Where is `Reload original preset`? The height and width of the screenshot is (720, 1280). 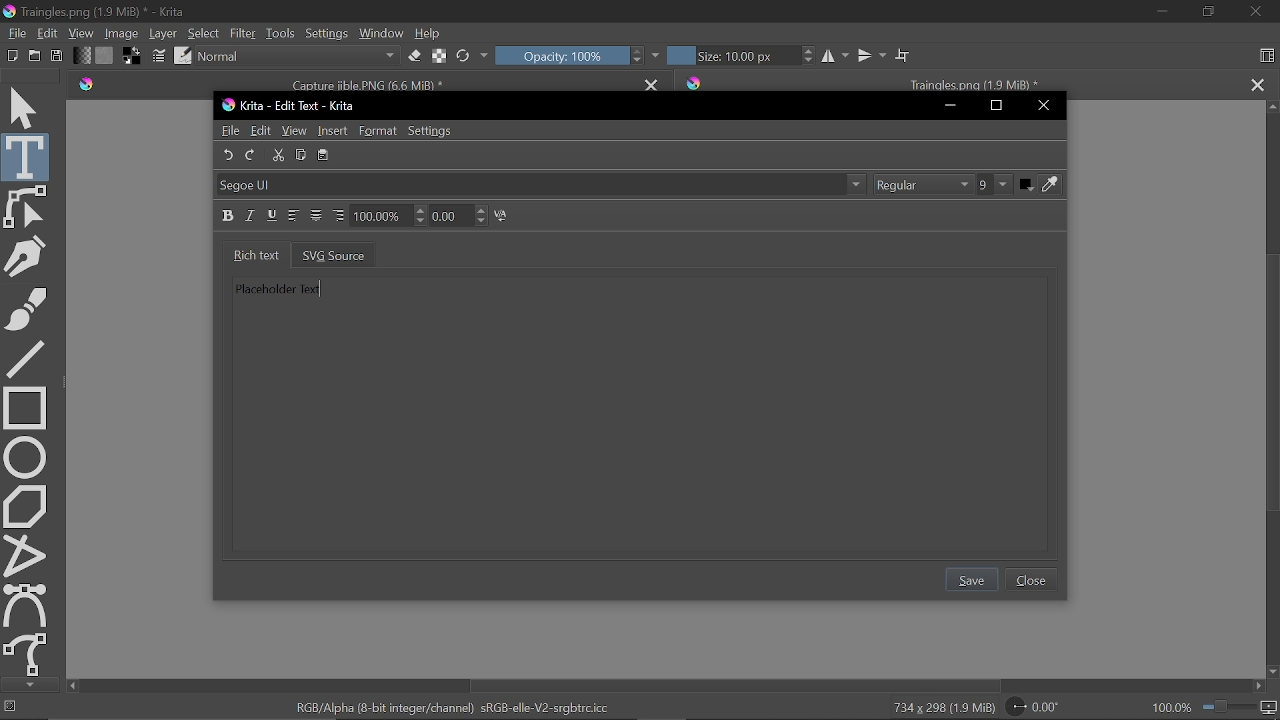
Reload original preset is located at coordinates (462, 56).